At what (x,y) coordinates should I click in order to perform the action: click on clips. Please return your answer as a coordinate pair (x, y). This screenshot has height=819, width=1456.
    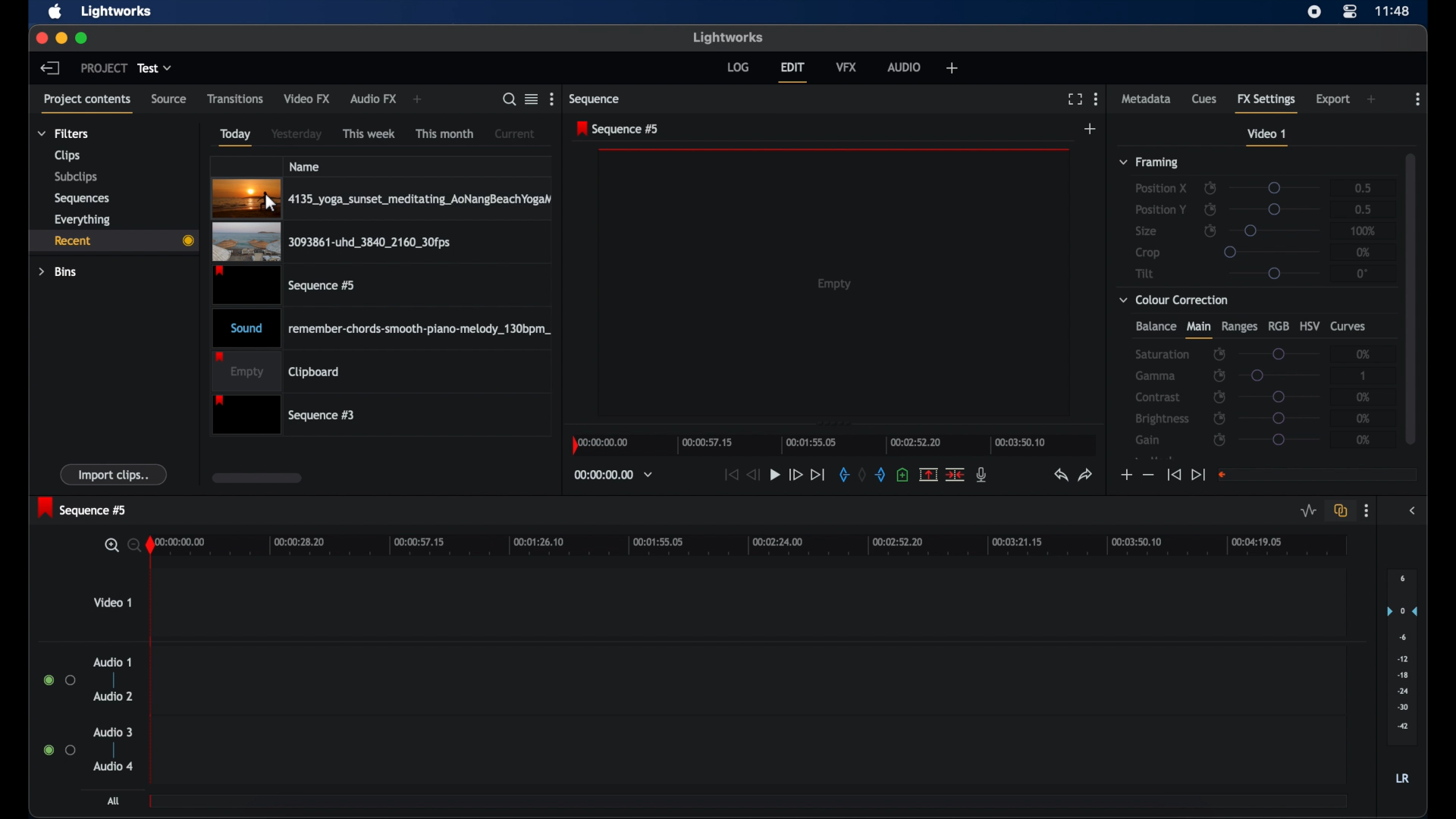
    Looking at the image, I should click on (65, 155).